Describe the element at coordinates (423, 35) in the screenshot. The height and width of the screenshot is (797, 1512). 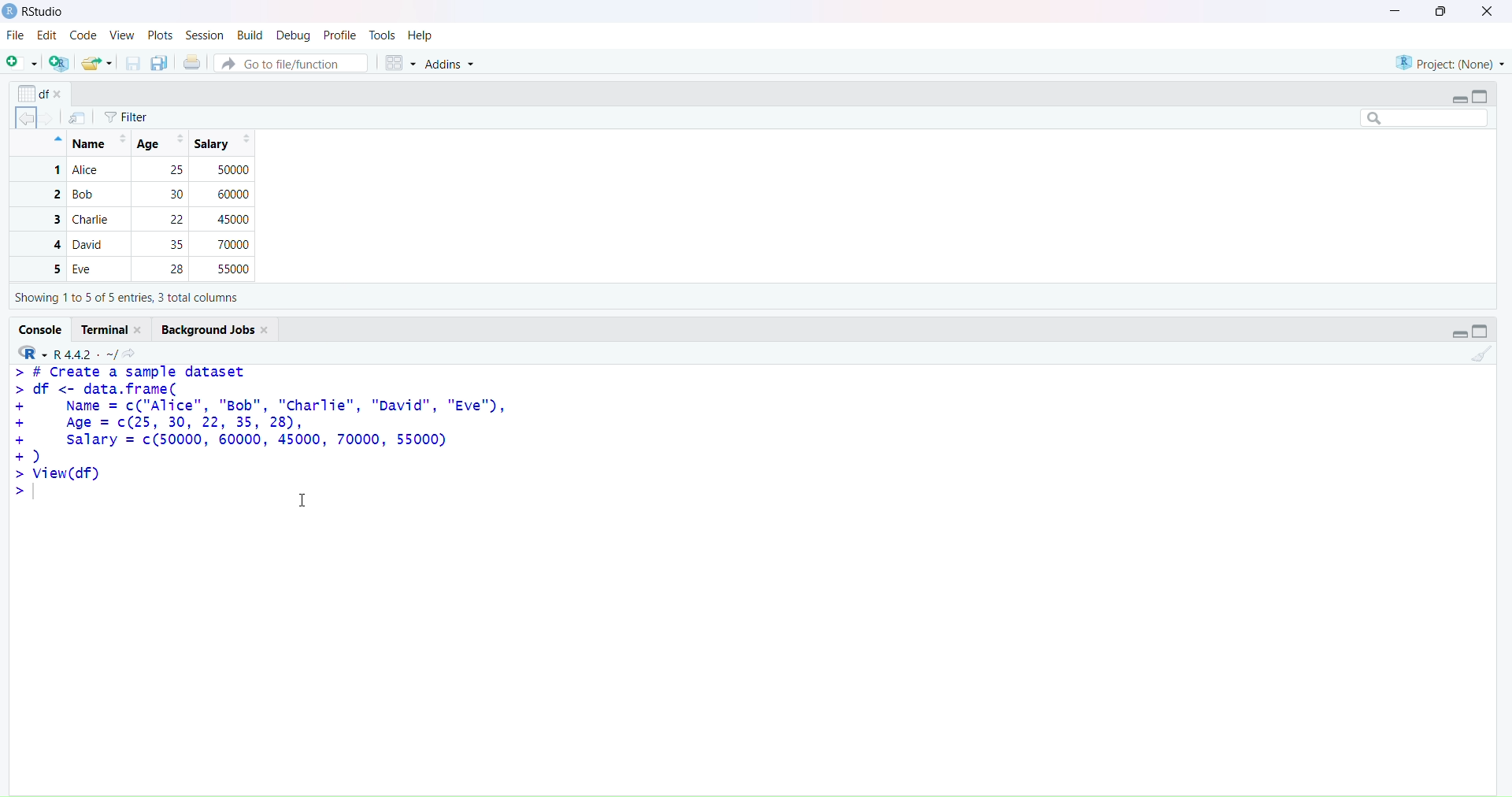
I see `help` at that location.